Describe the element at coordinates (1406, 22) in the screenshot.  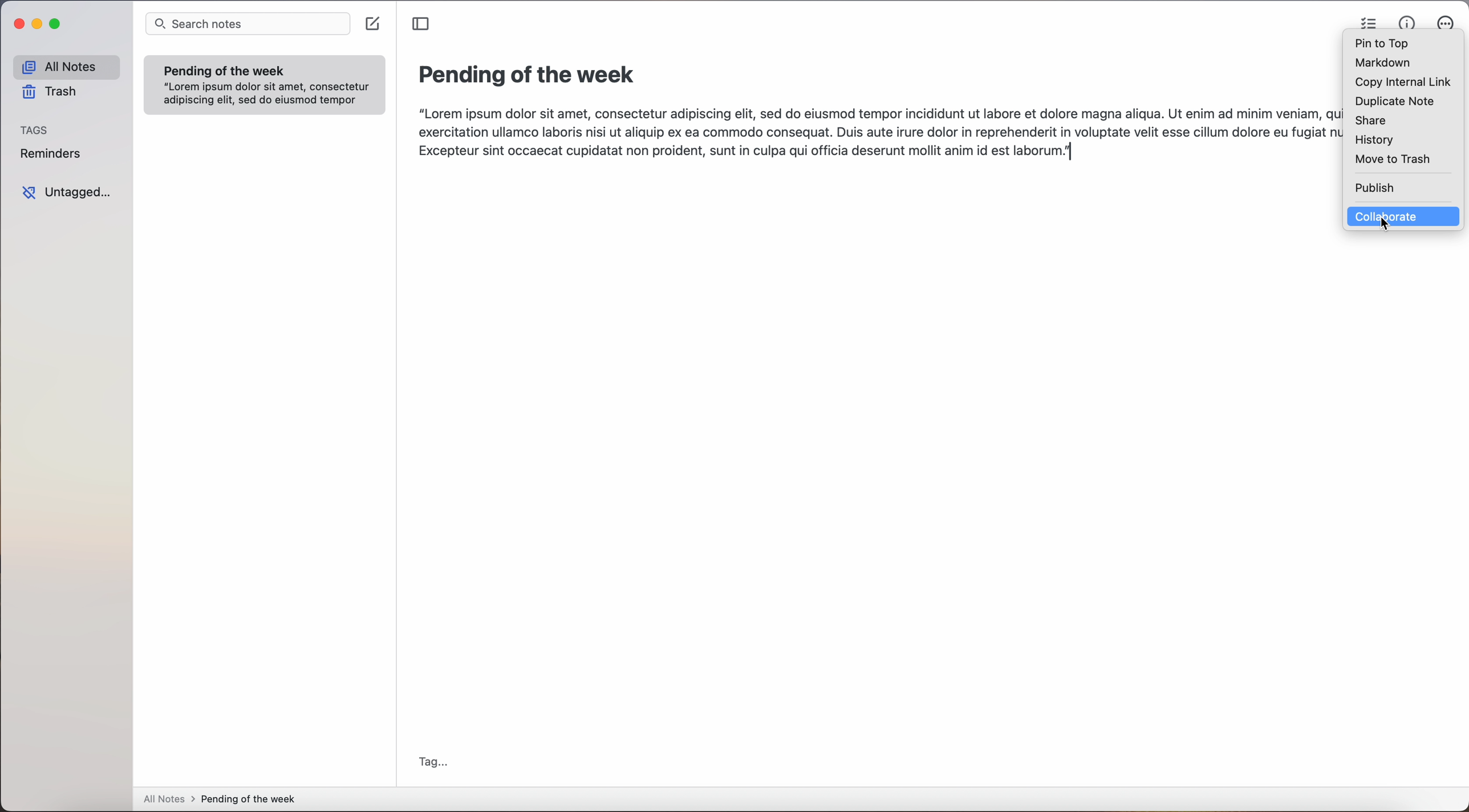
I see `metrics` at that location.